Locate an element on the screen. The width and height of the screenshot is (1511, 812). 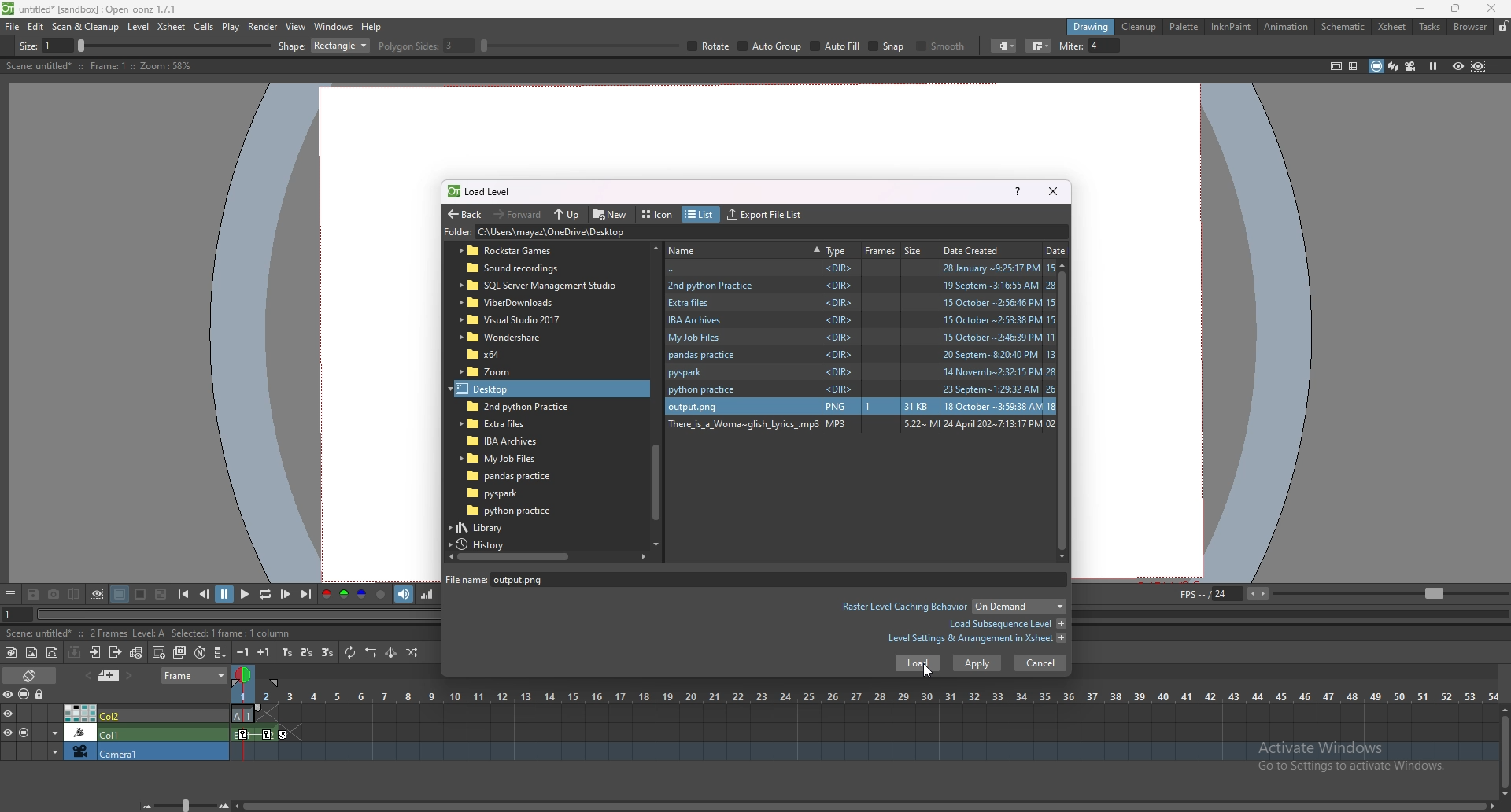
last frame is located at coordinates (305, 594).